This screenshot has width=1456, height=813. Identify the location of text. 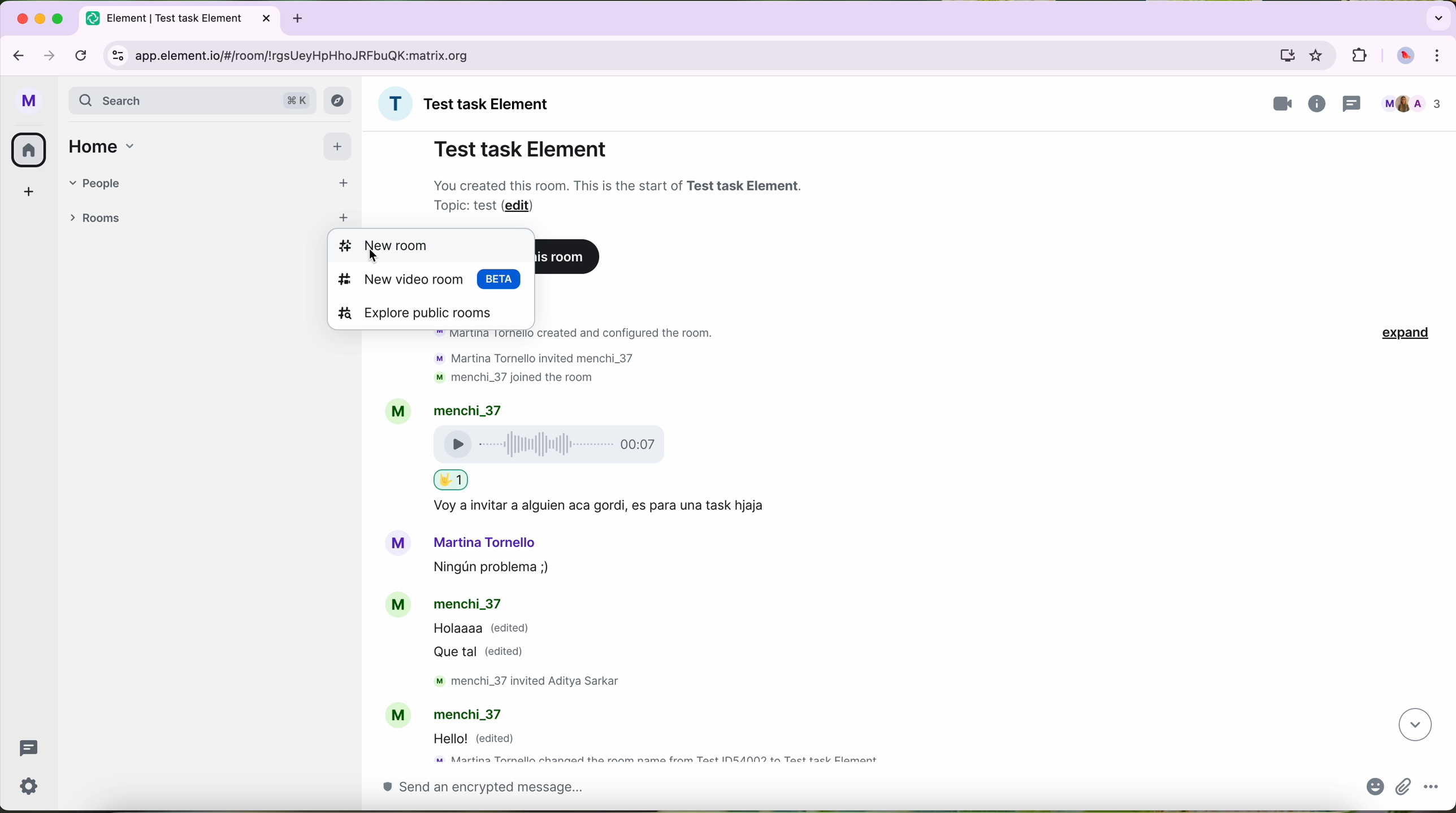
(452, 479).